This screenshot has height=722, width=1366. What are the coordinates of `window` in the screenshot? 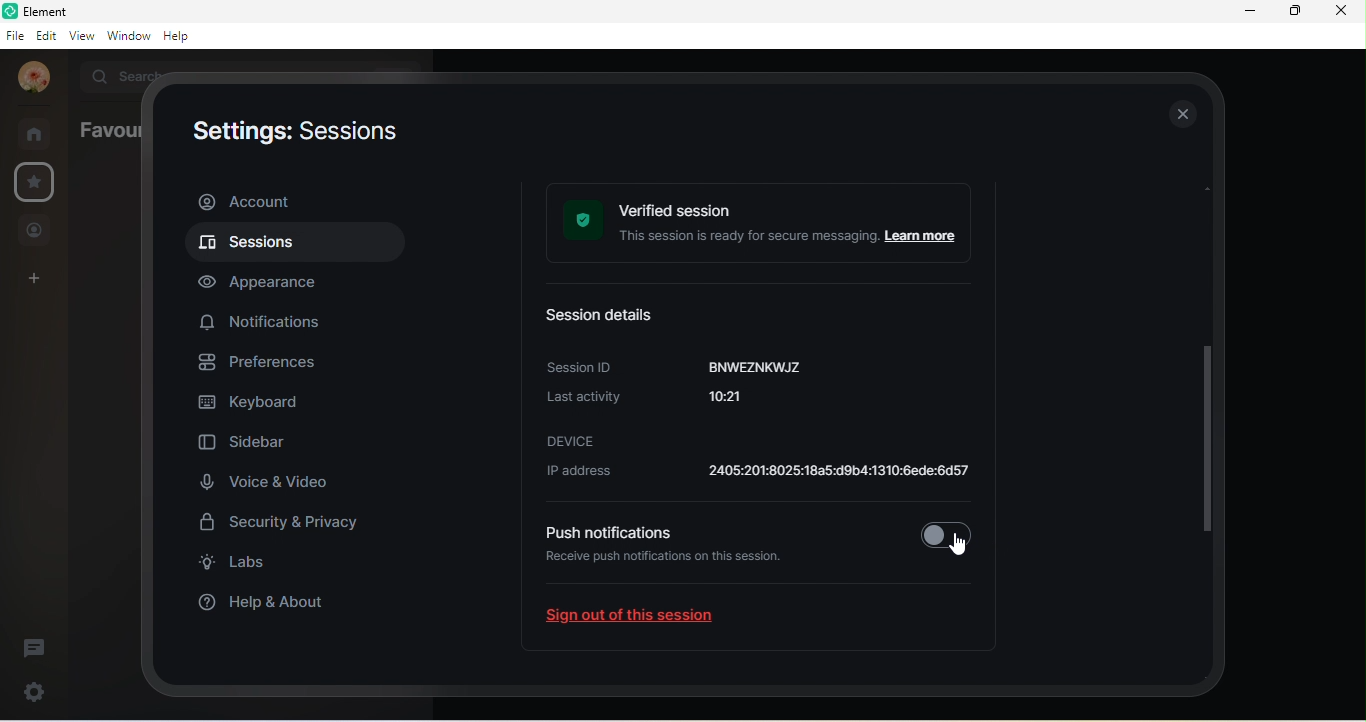 It's located at (128, 35).